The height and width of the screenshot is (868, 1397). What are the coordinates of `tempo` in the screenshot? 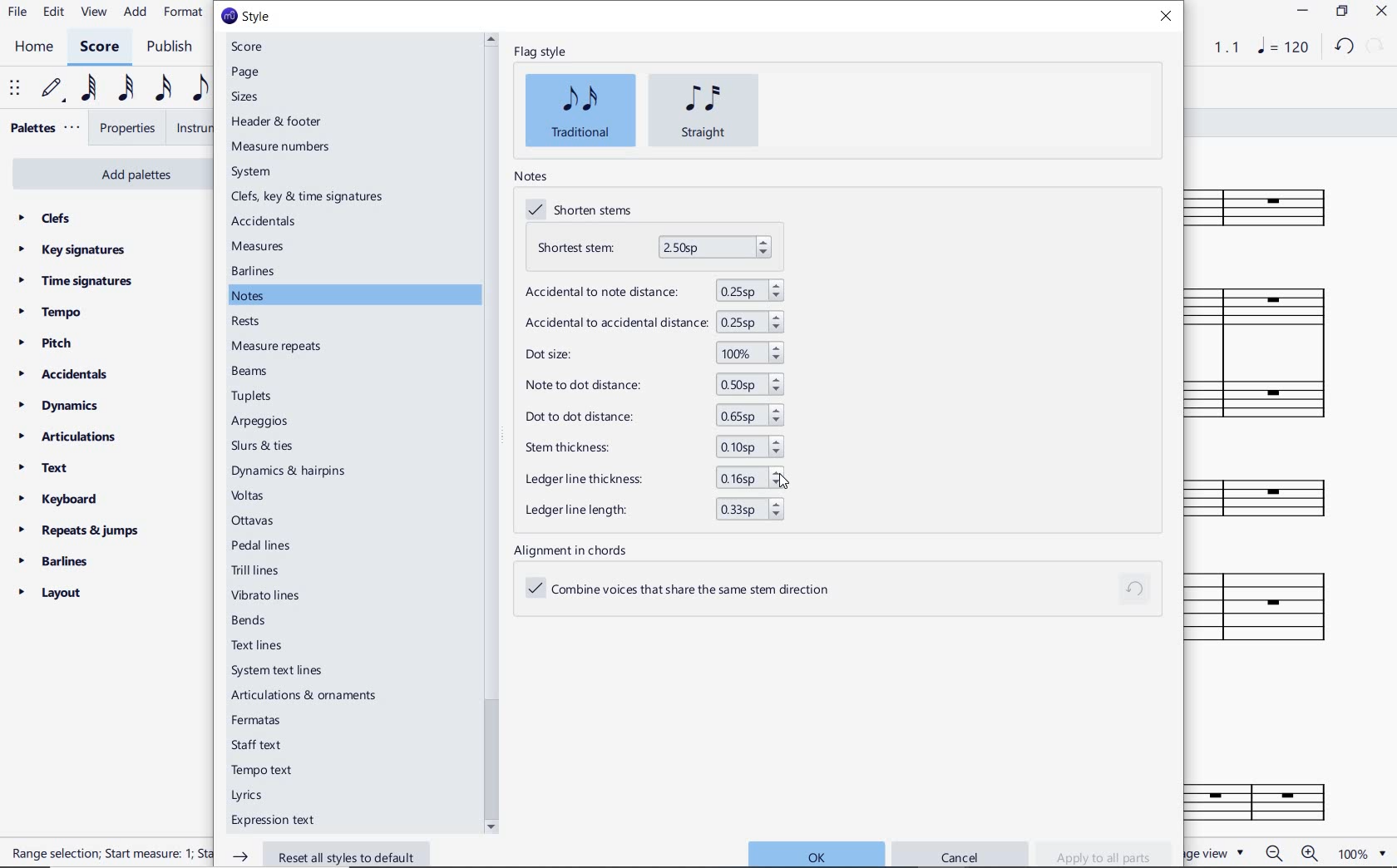 It's located at (53, 313).